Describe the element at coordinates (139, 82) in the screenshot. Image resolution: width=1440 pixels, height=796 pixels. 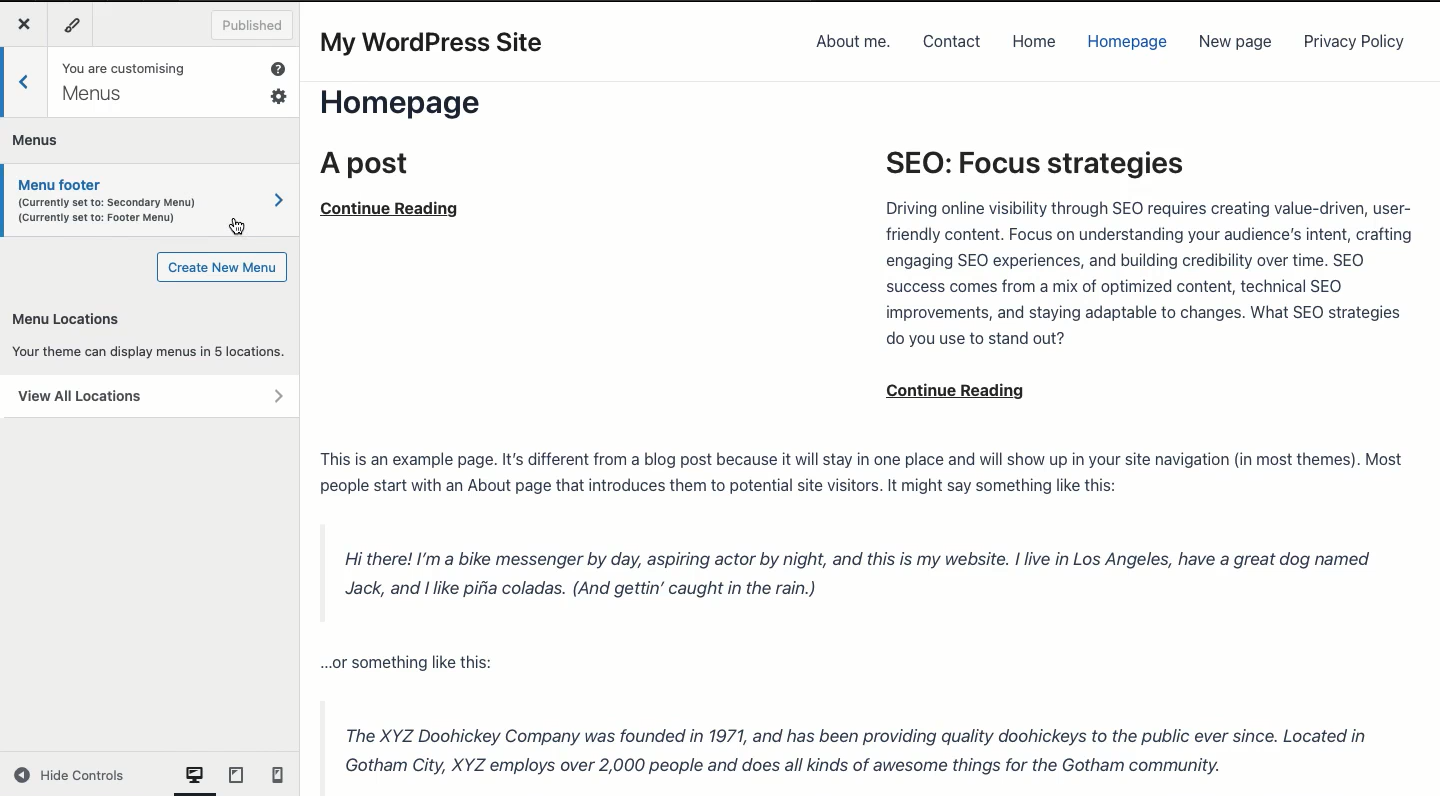
I see `You are customizing ` at that location.